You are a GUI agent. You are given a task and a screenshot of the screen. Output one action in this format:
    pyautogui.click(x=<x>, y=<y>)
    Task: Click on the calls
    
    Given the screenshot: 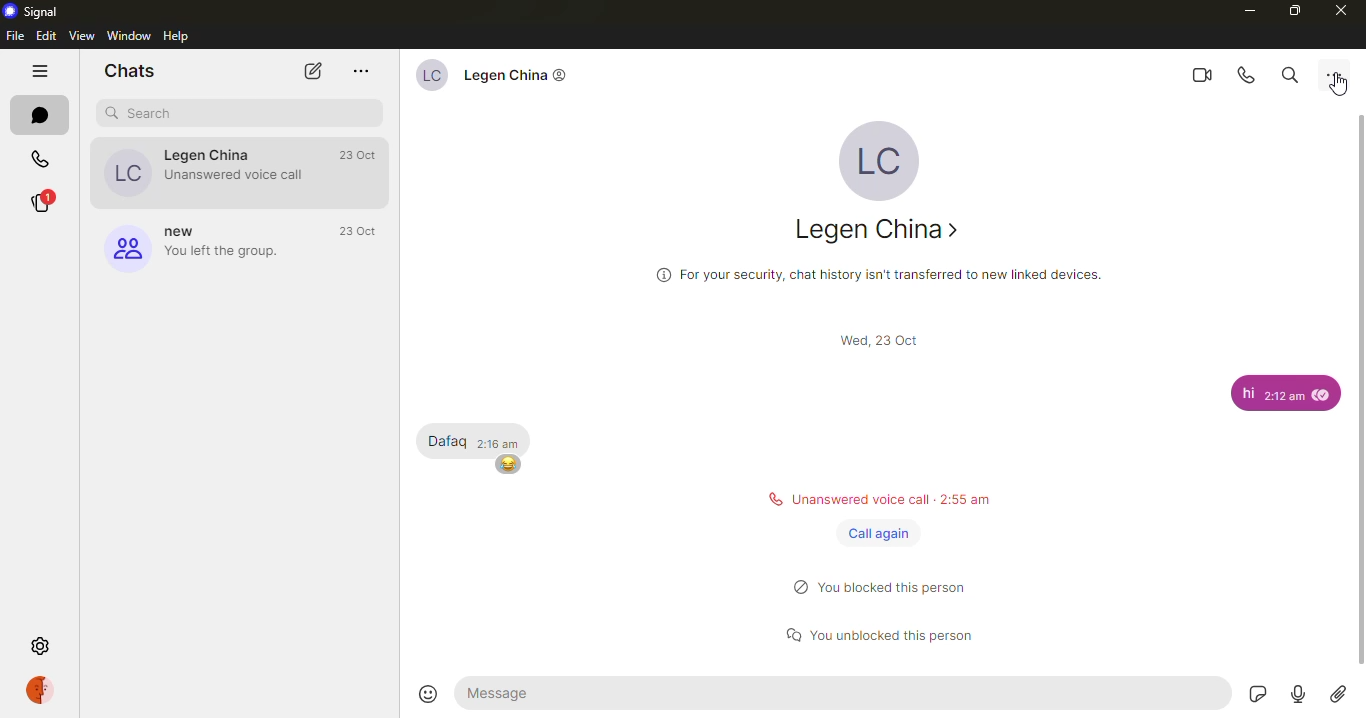 What is the action you would take?
    pyautogui.click(x=40, y=160)
    